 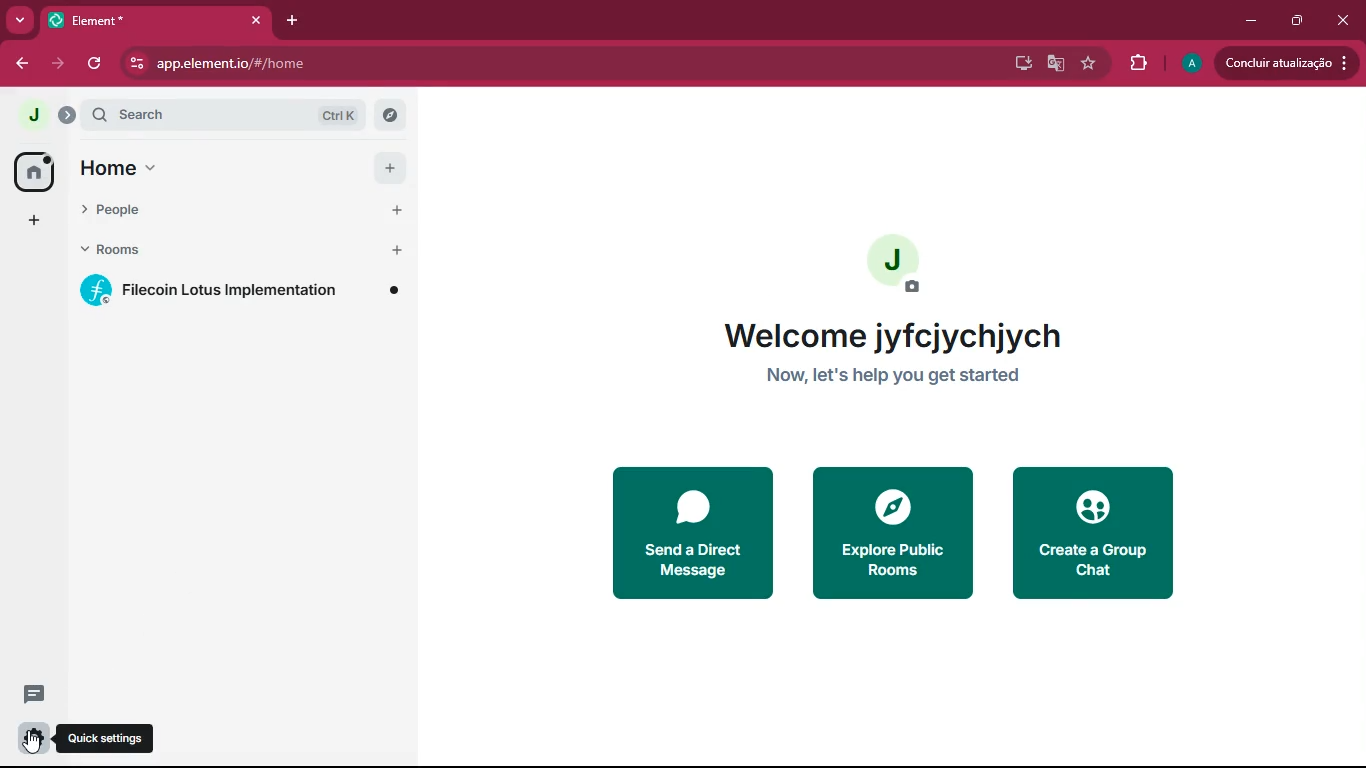 I want to click on tab, so click(x=128, y=21).